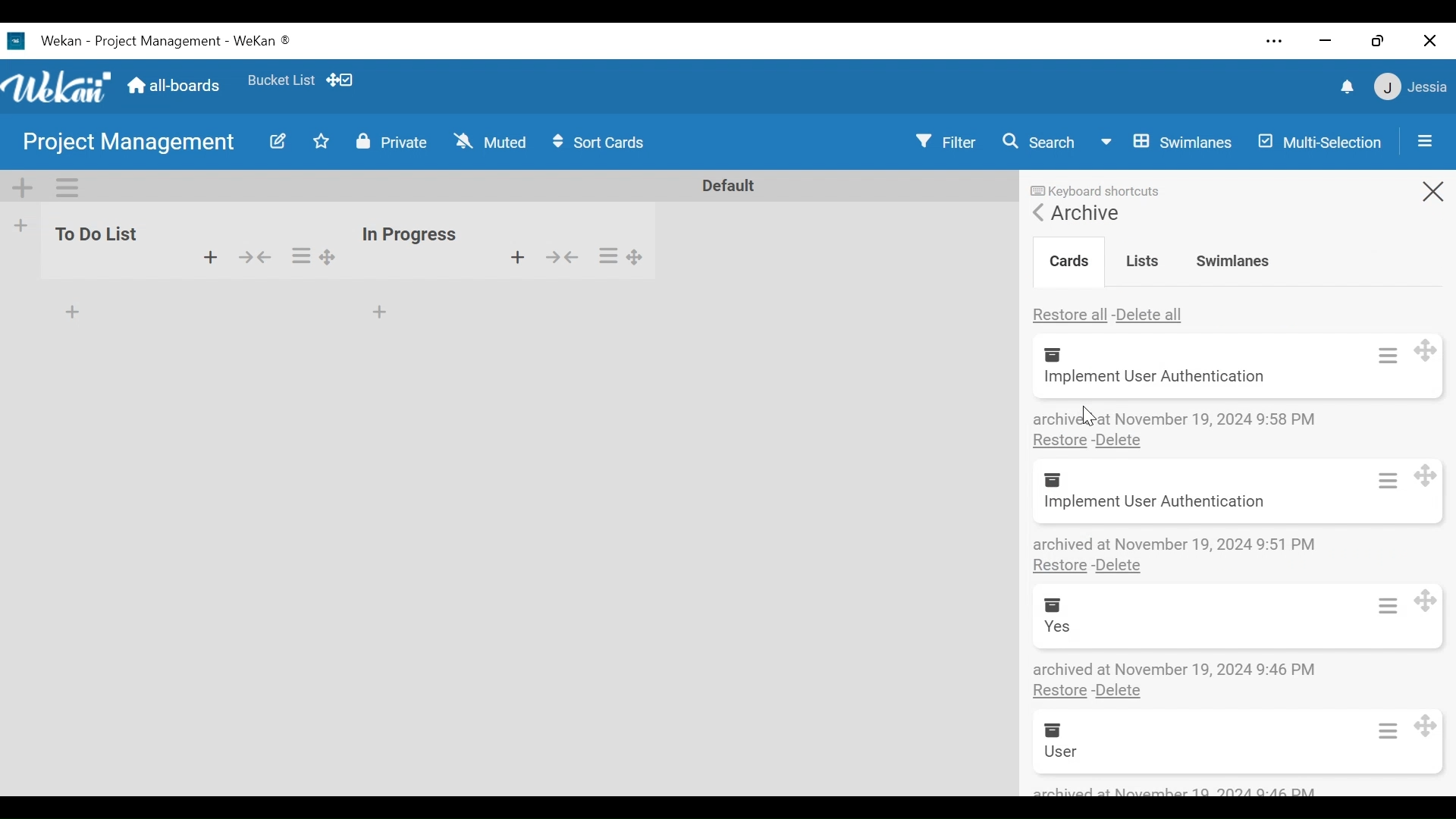 The width and height of the screenshot is (1456, 819). Describe the element at coordinates (277, 143) in the screenshot. I see `Edit` at that location.